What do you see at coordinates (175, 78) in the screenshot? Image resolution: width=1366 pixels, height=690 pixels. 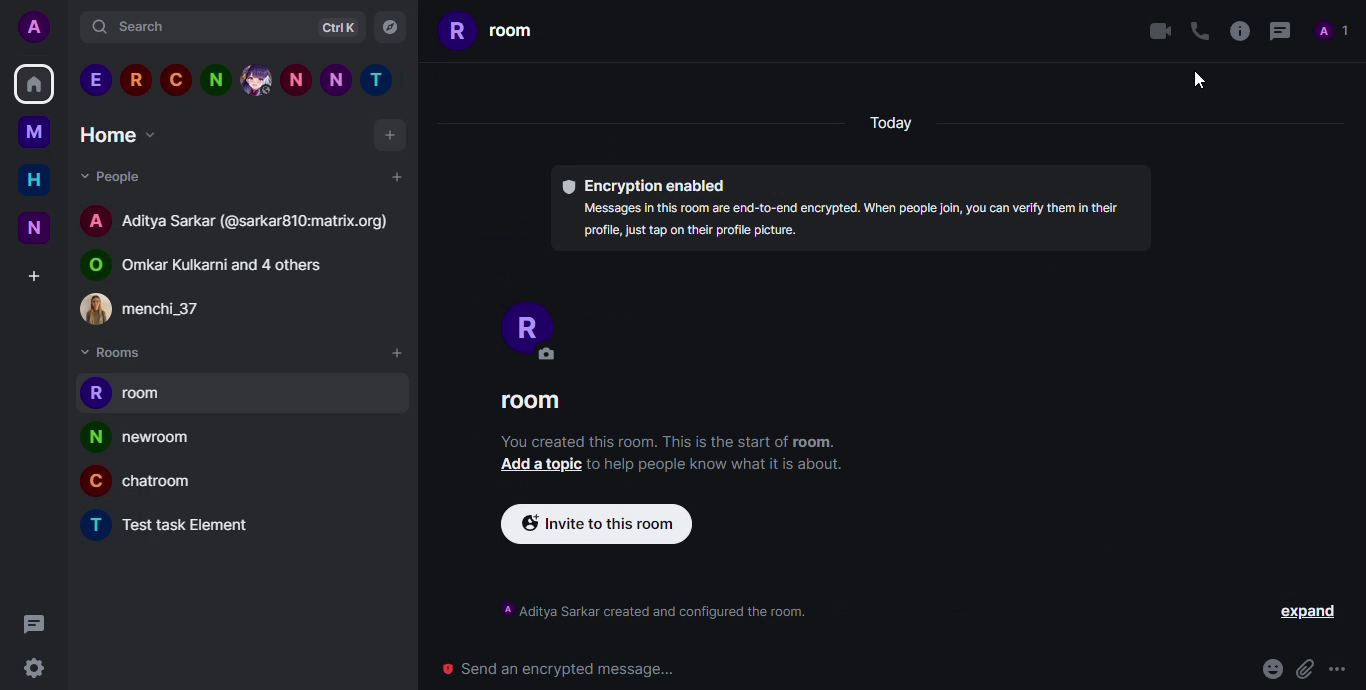 I see `people 3` at bounding box center [175, 78].